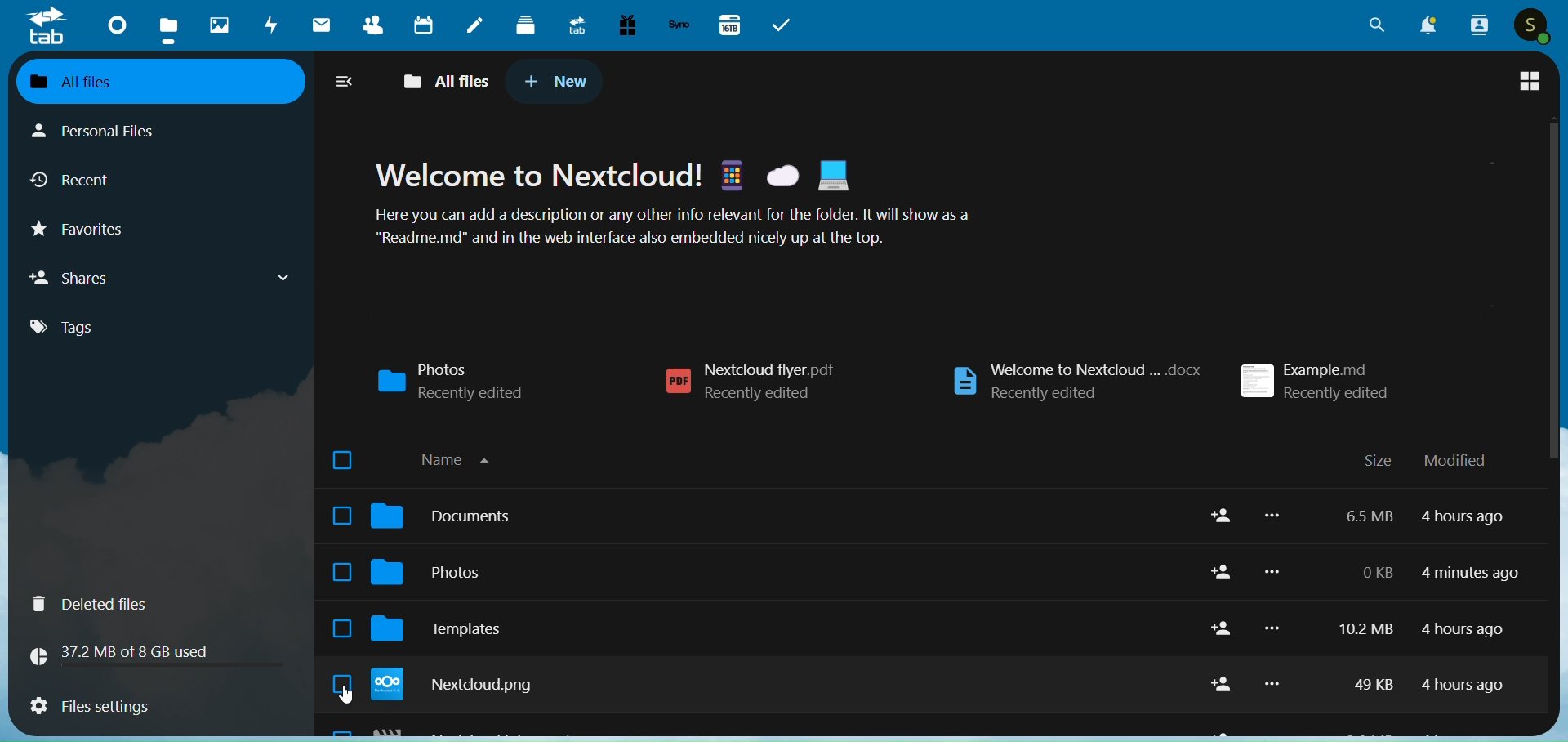  I want to click on Add, so click(1222, 684).